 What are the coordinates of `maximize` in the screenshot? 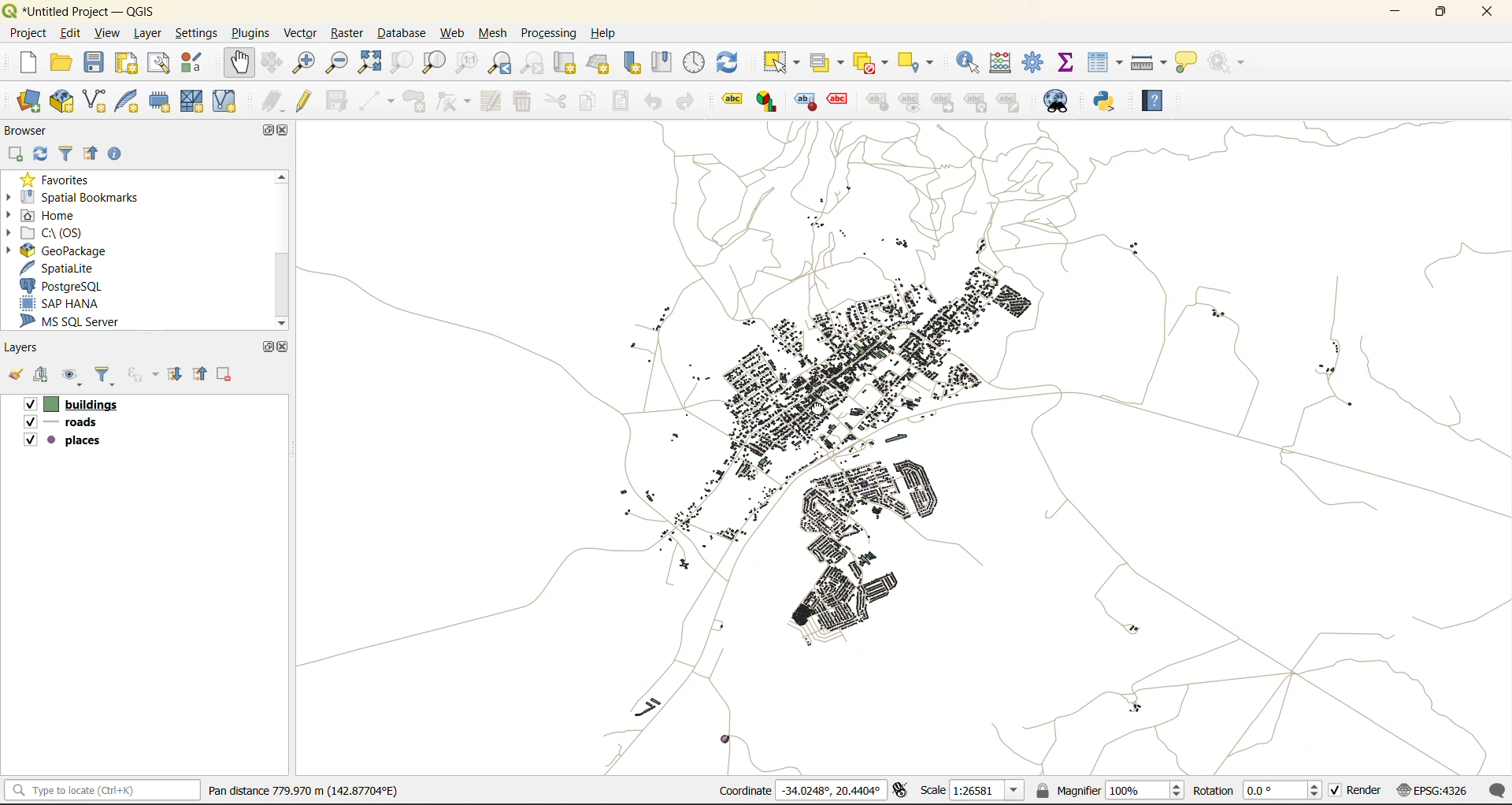 It's located at (264, 132).